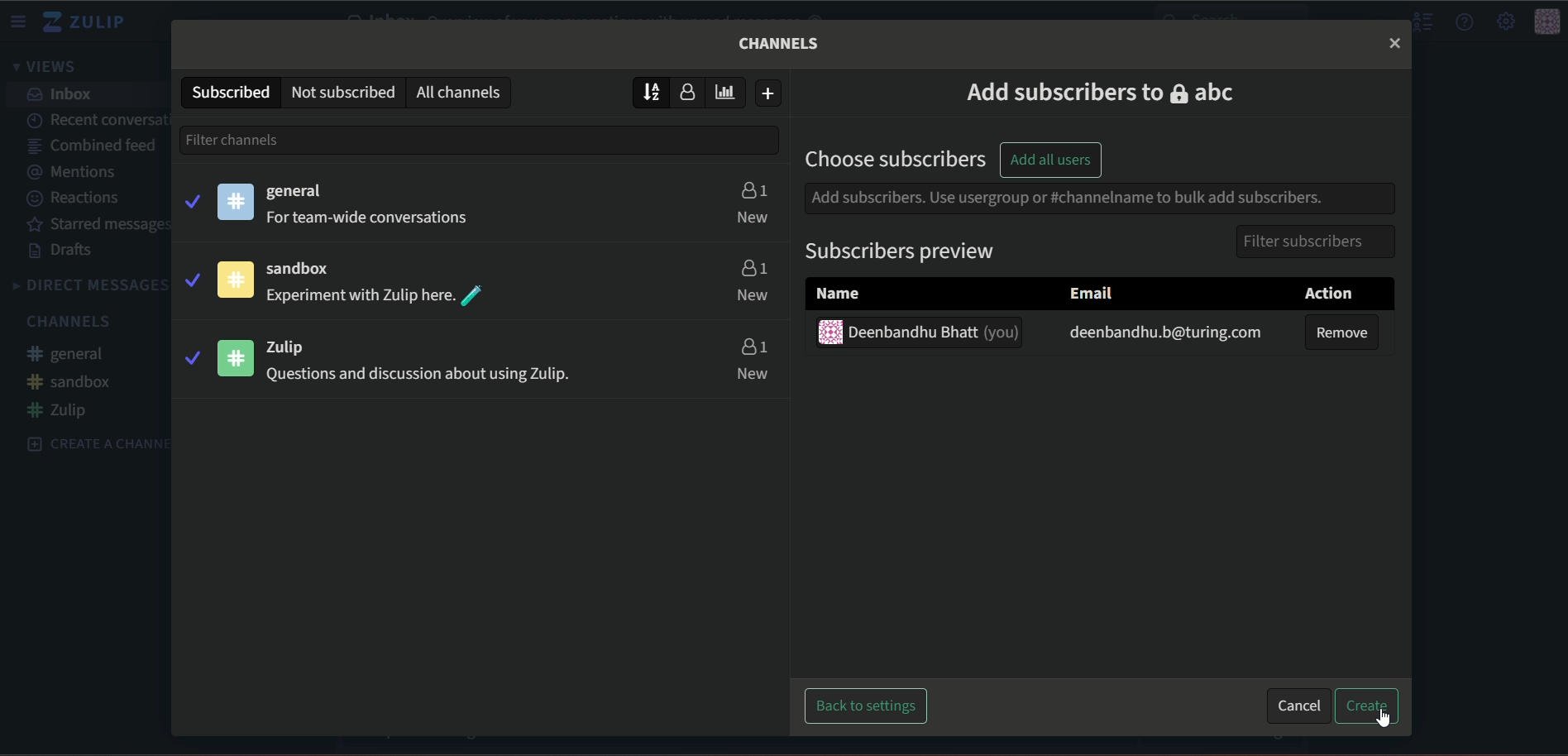  Describe the element at coordinates (868, 706) in the screenshot. I see `back to settings` at that location.